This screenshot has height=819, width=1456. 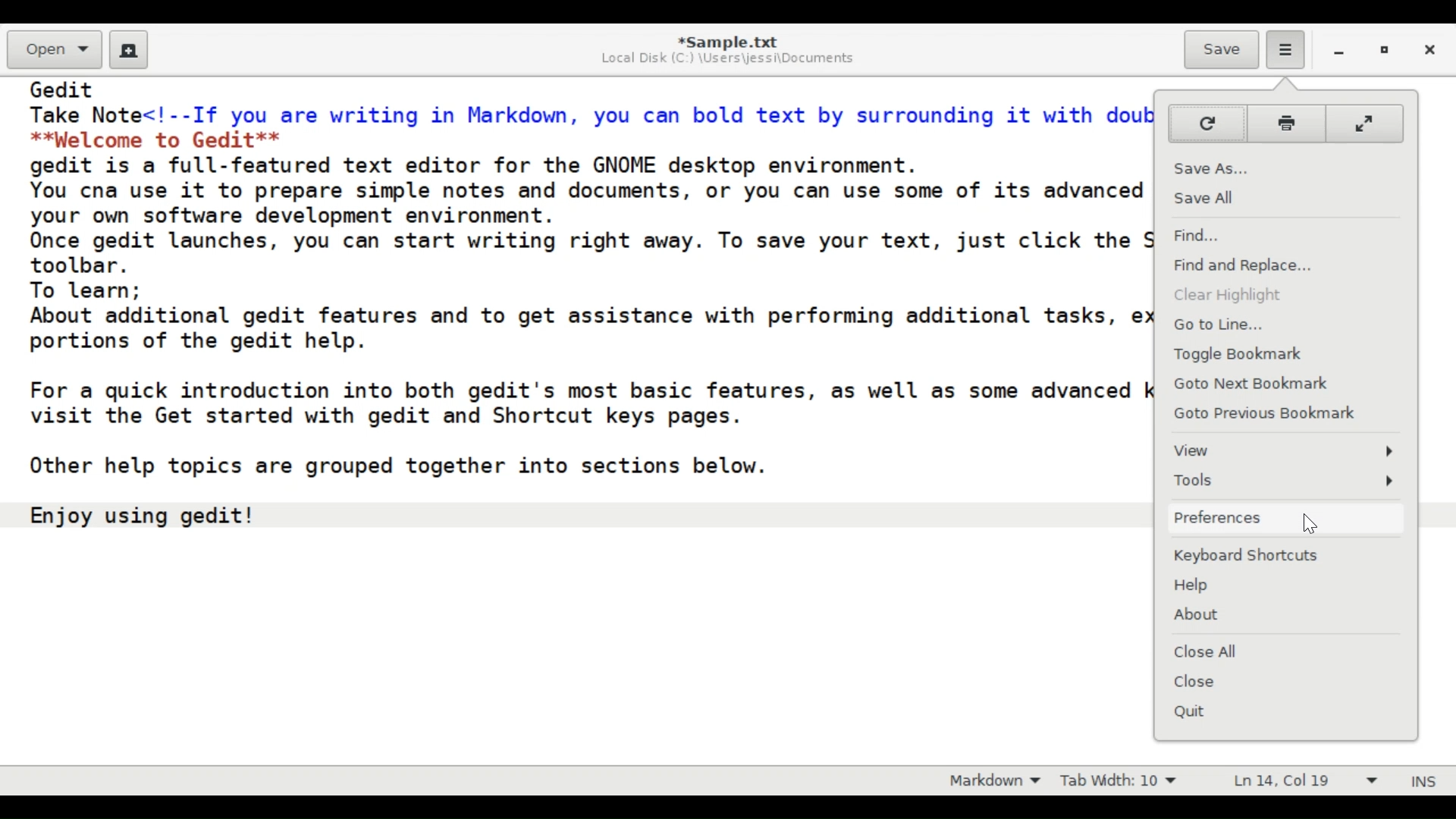 I want to click on Application menu, so click(x=1285, y=50).